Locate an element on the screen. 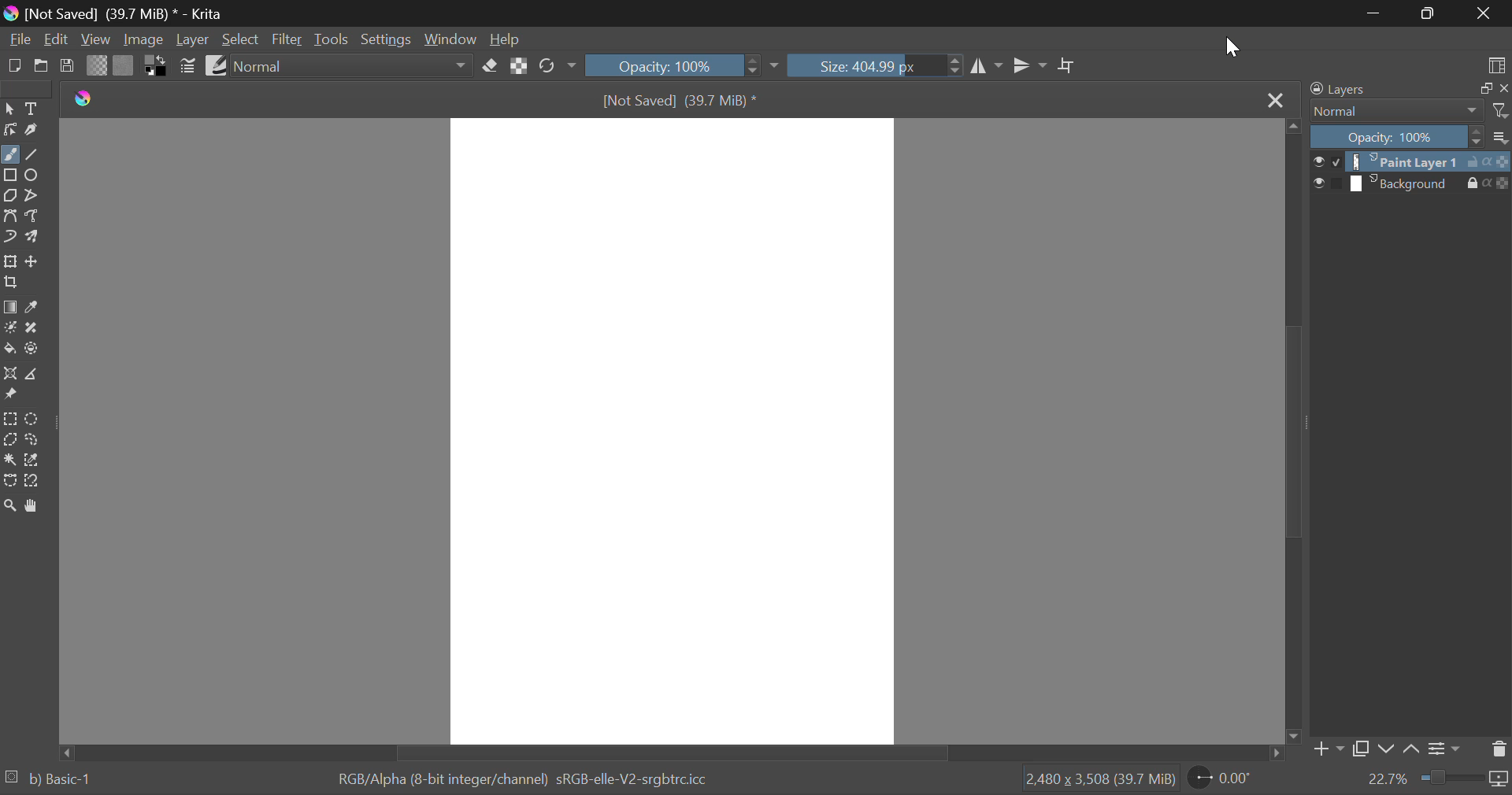 This screenshot has height=795, width=1512. Bezier Curve is located at coordinates (13, 216).